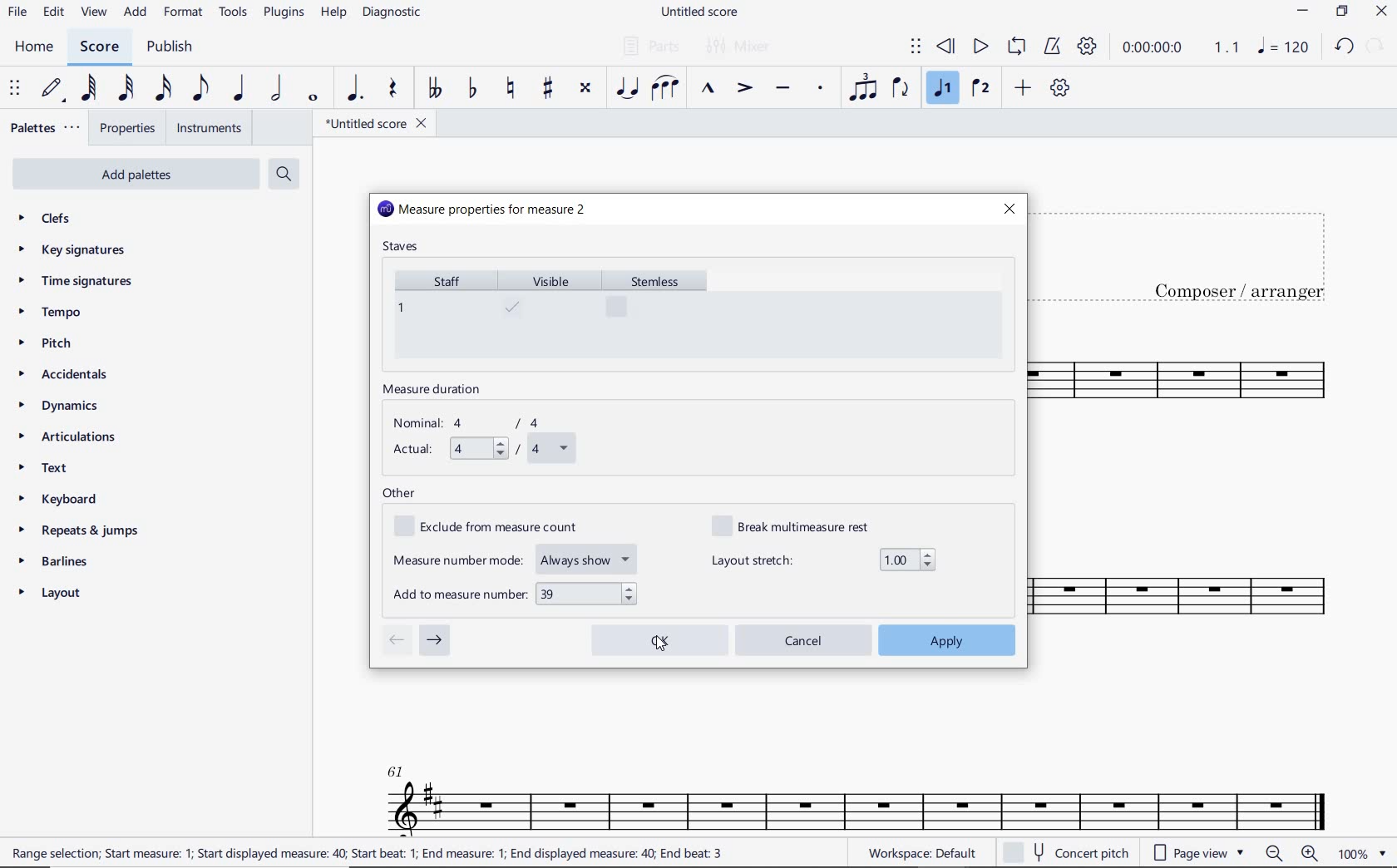  What do you see at coordinates (857, 787) in the screenshot?
I see `INSTRUMENT: TENOR SAXOPHONE` at bounding box center [857, 787].